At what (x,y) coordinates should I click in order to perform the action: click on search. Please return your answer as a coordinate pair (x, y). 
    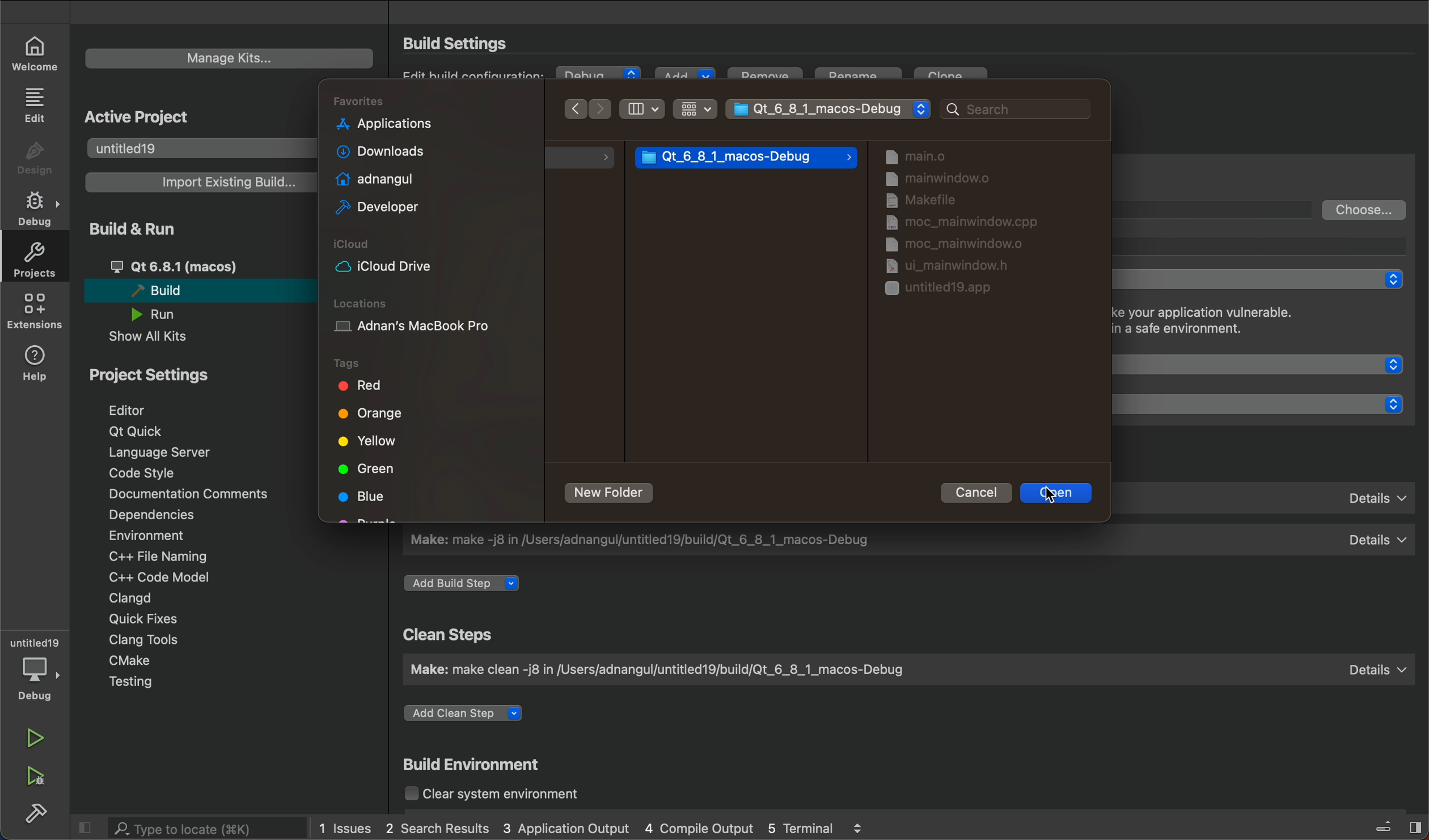
    Looking at the image, I should click on (195, 828).